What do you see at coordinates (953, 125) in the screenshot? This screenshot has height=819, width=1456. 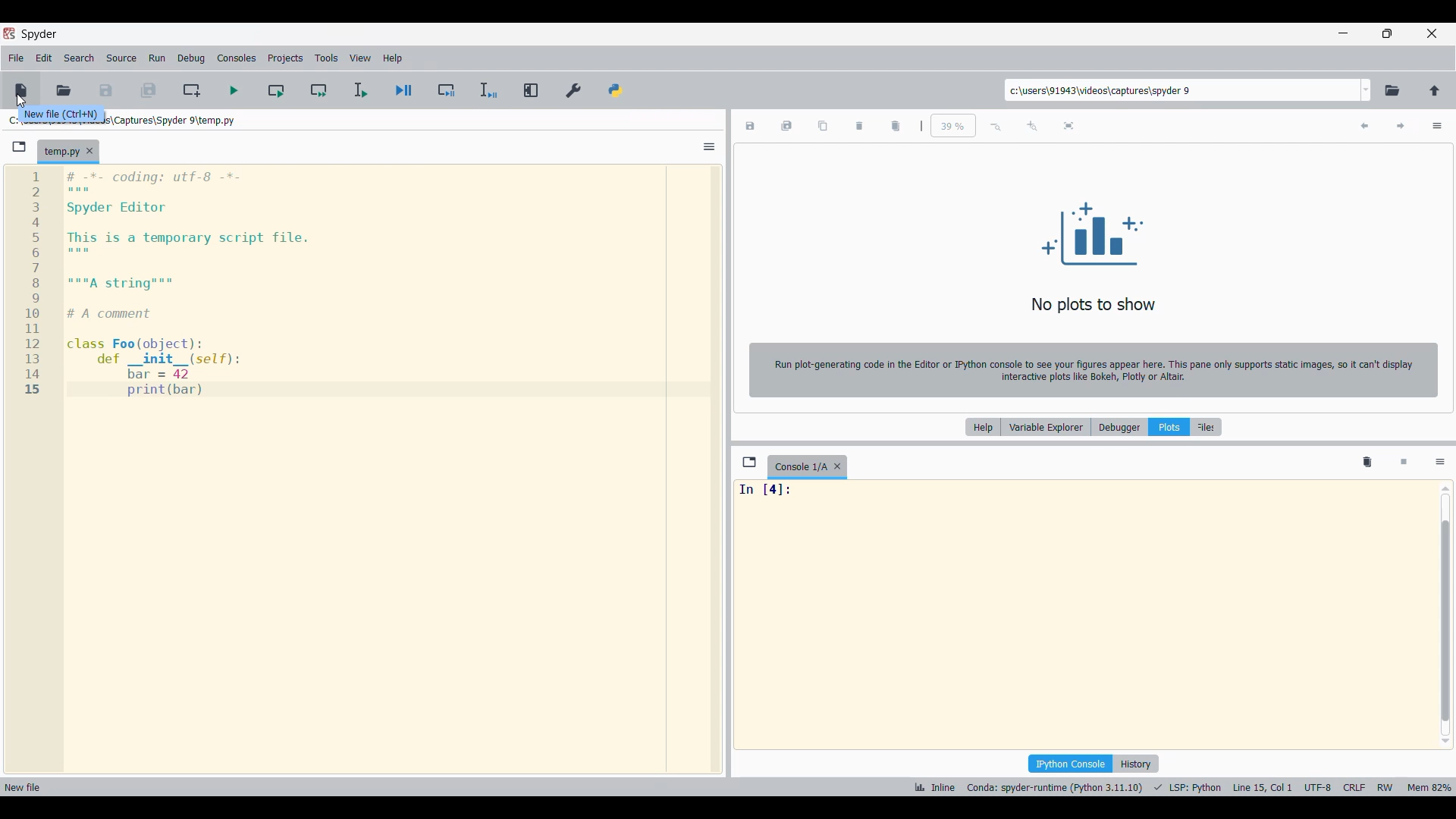 I see `Input zoom factor` at bounding box center [953, 125].